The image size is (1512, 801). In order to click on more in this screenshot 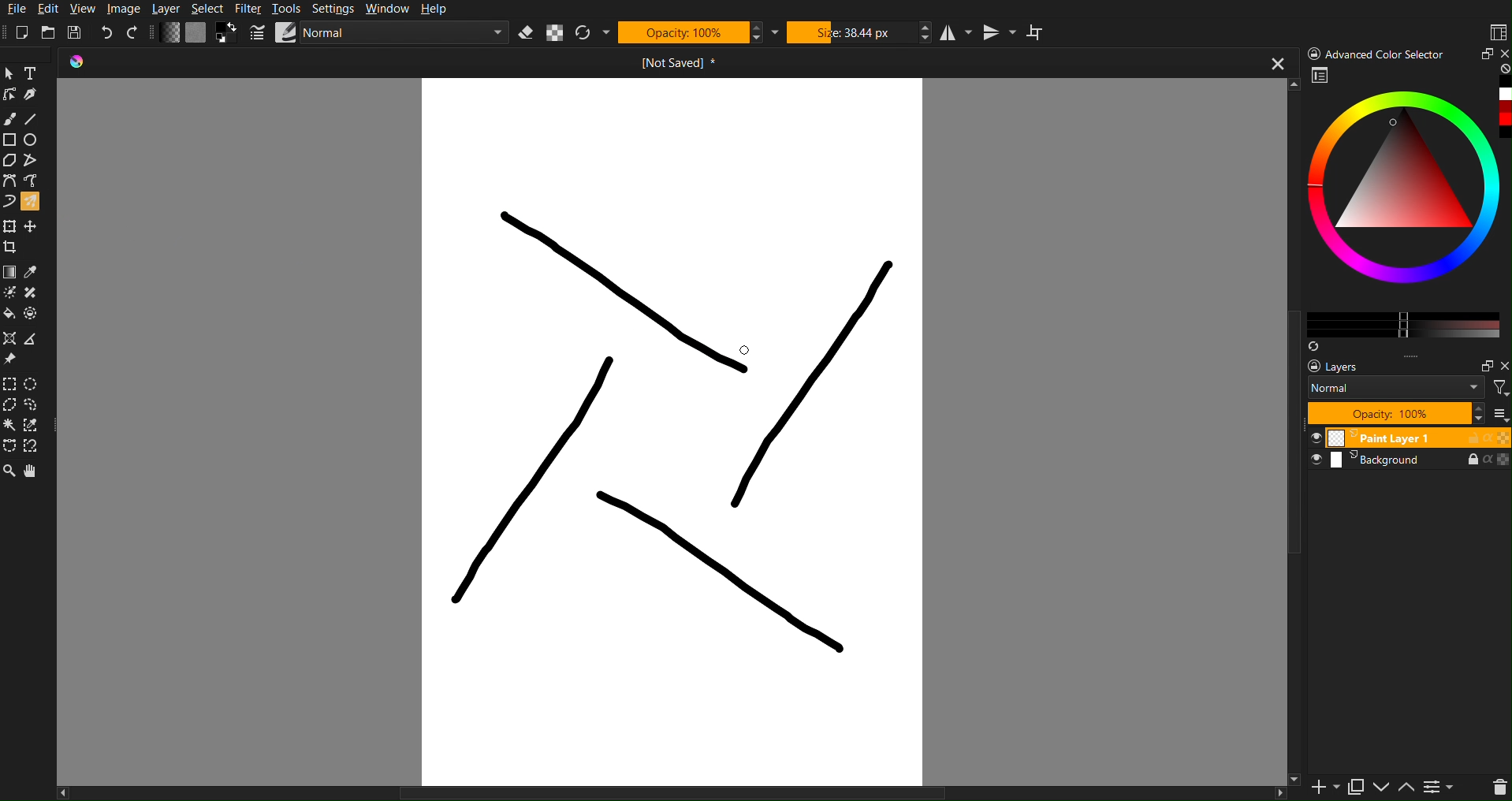, I will do `click(1502, 415)`.